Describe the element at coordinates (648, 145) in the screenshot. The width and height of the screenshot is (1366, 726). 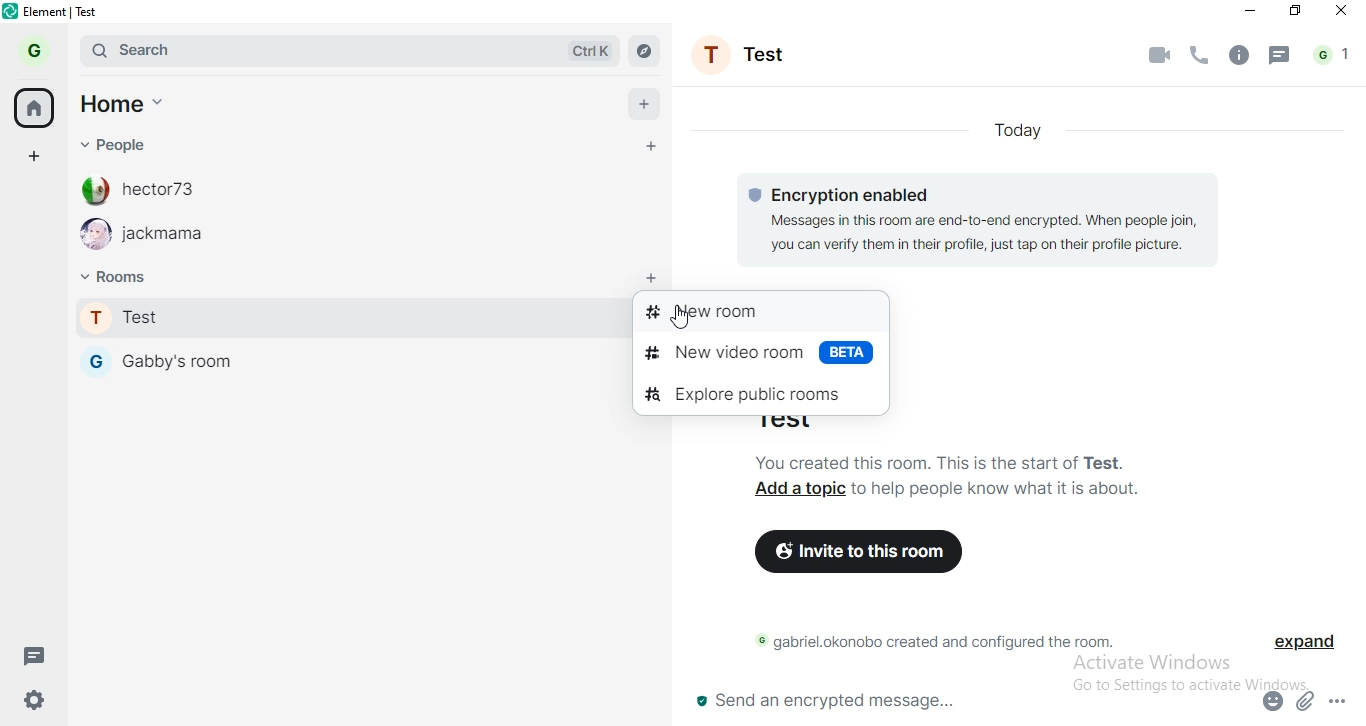
I see `add people` at that location.